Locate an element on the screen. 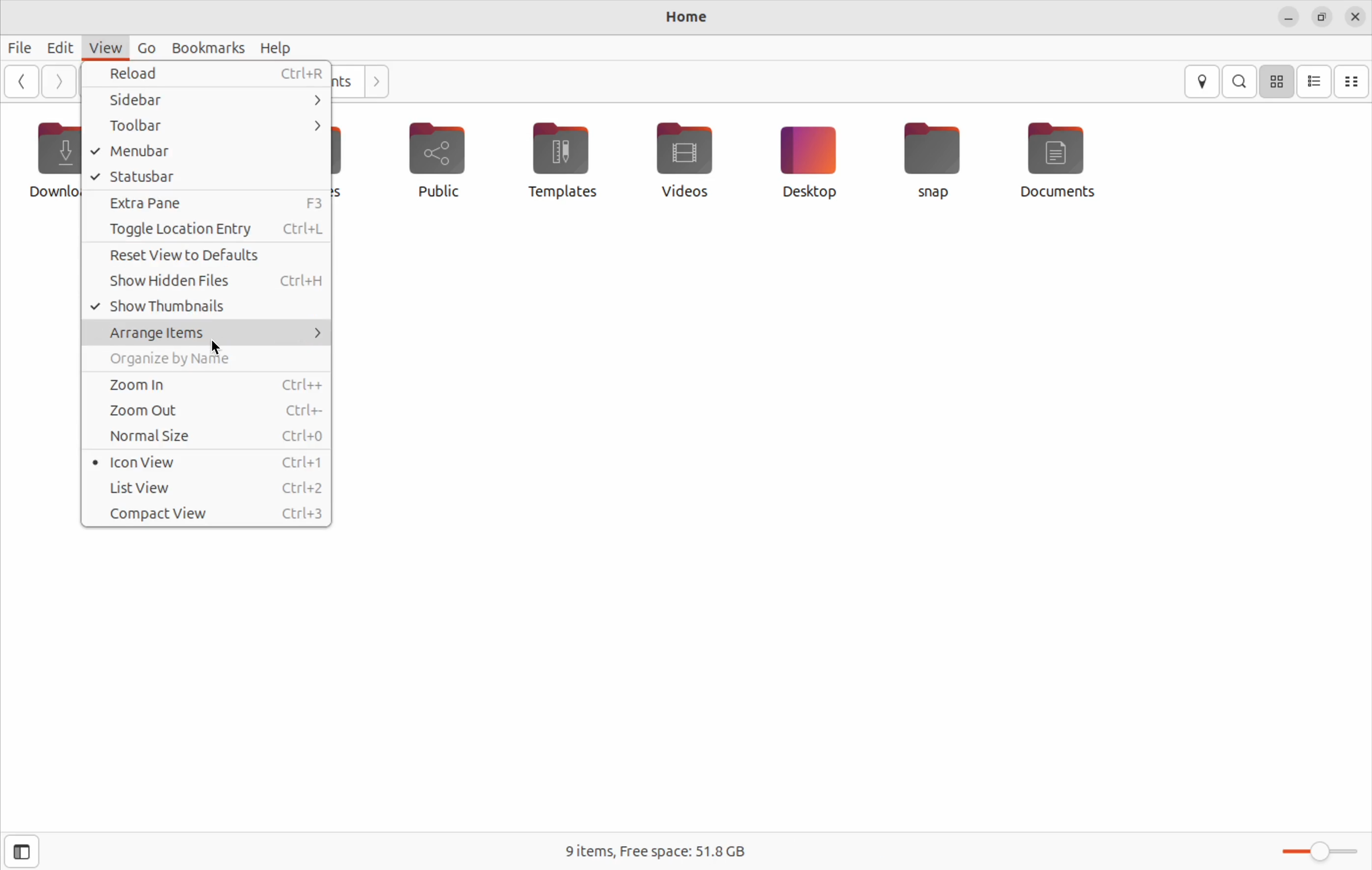 This screenshot has height=870, width=1372. desktop is located at coordinates (807, 161).